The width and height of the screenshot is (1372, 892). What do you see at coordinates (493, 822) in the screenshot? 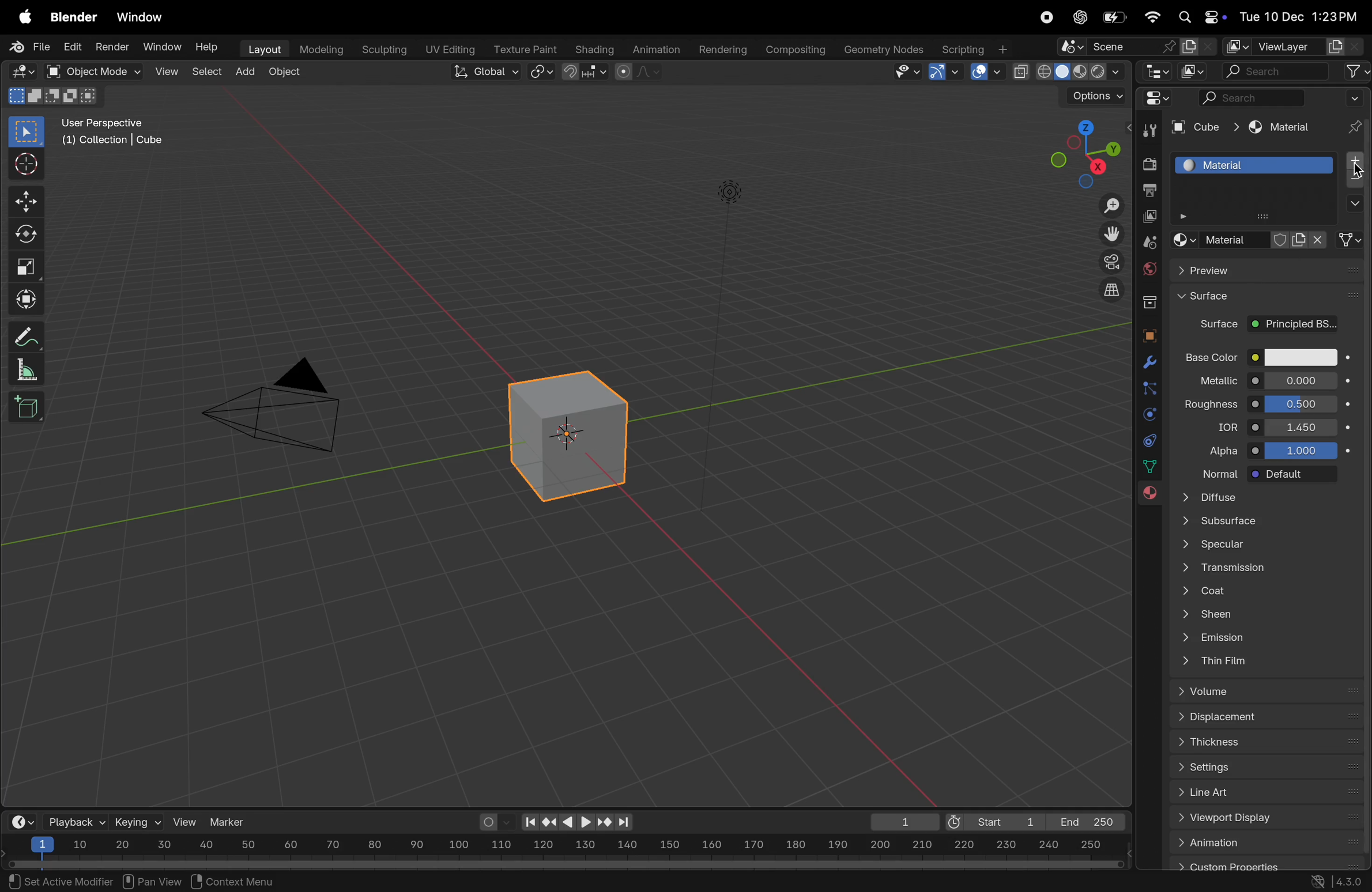
I see `auto keying` at bounding box center [493, 822].